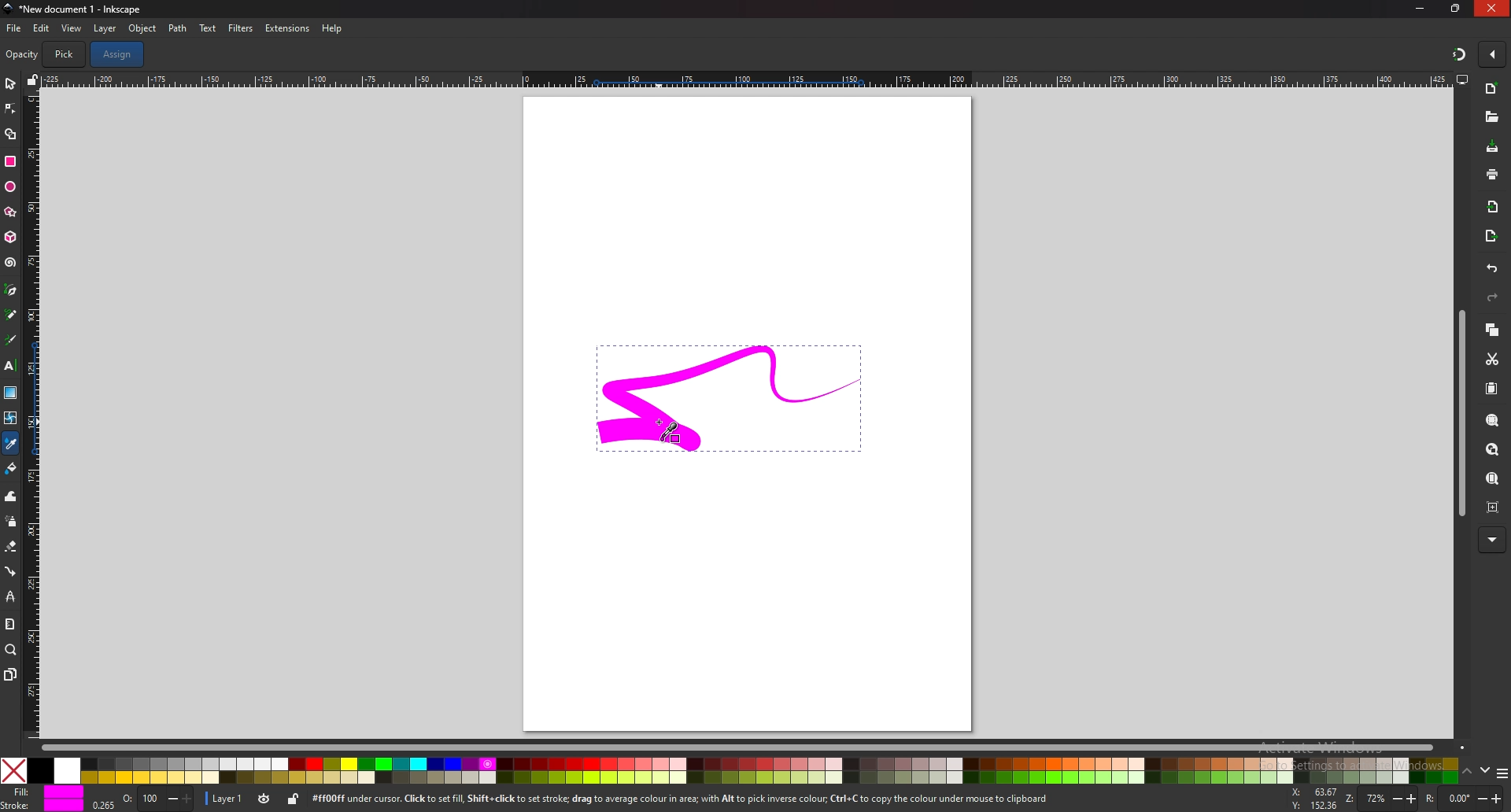 The image size is (1511, 812). I want to click on object, so click(146, 28).